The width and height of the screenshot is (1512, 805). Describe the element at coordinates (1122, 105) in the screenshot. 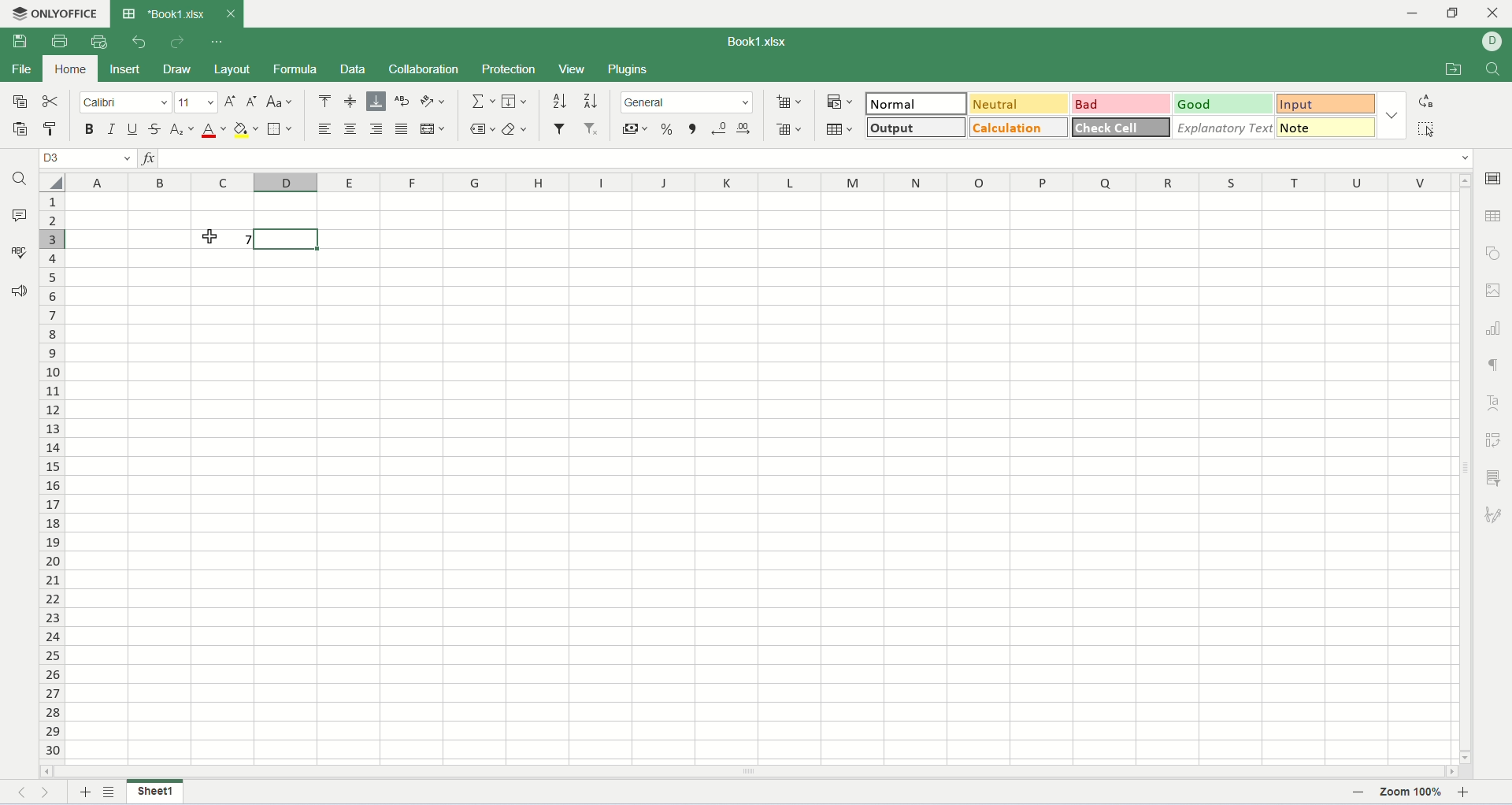

I see `bad` at that location.